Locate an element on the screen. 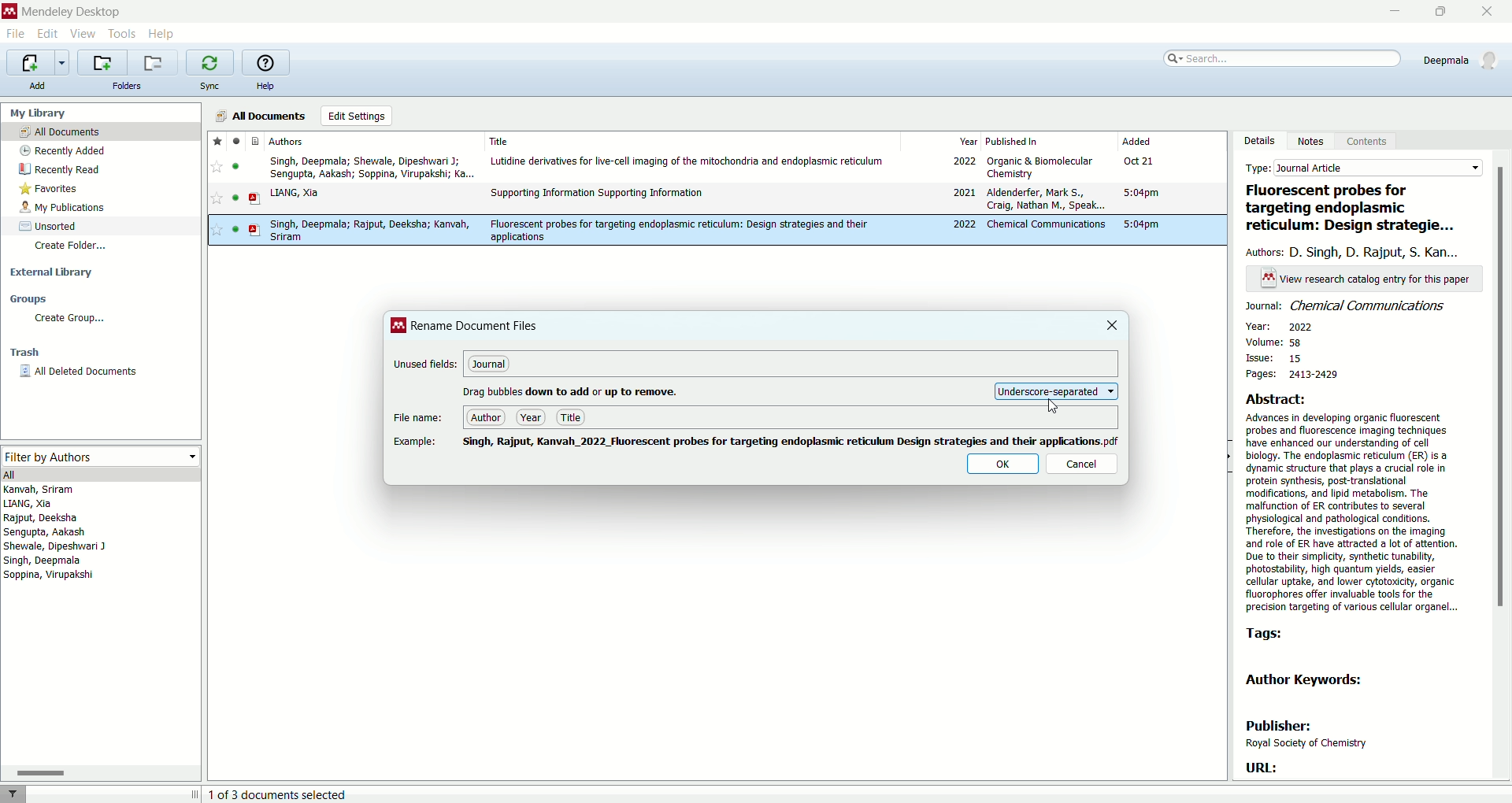 This screenshot has width=1512, height=803. pages is located at coordinates (1291, 377).